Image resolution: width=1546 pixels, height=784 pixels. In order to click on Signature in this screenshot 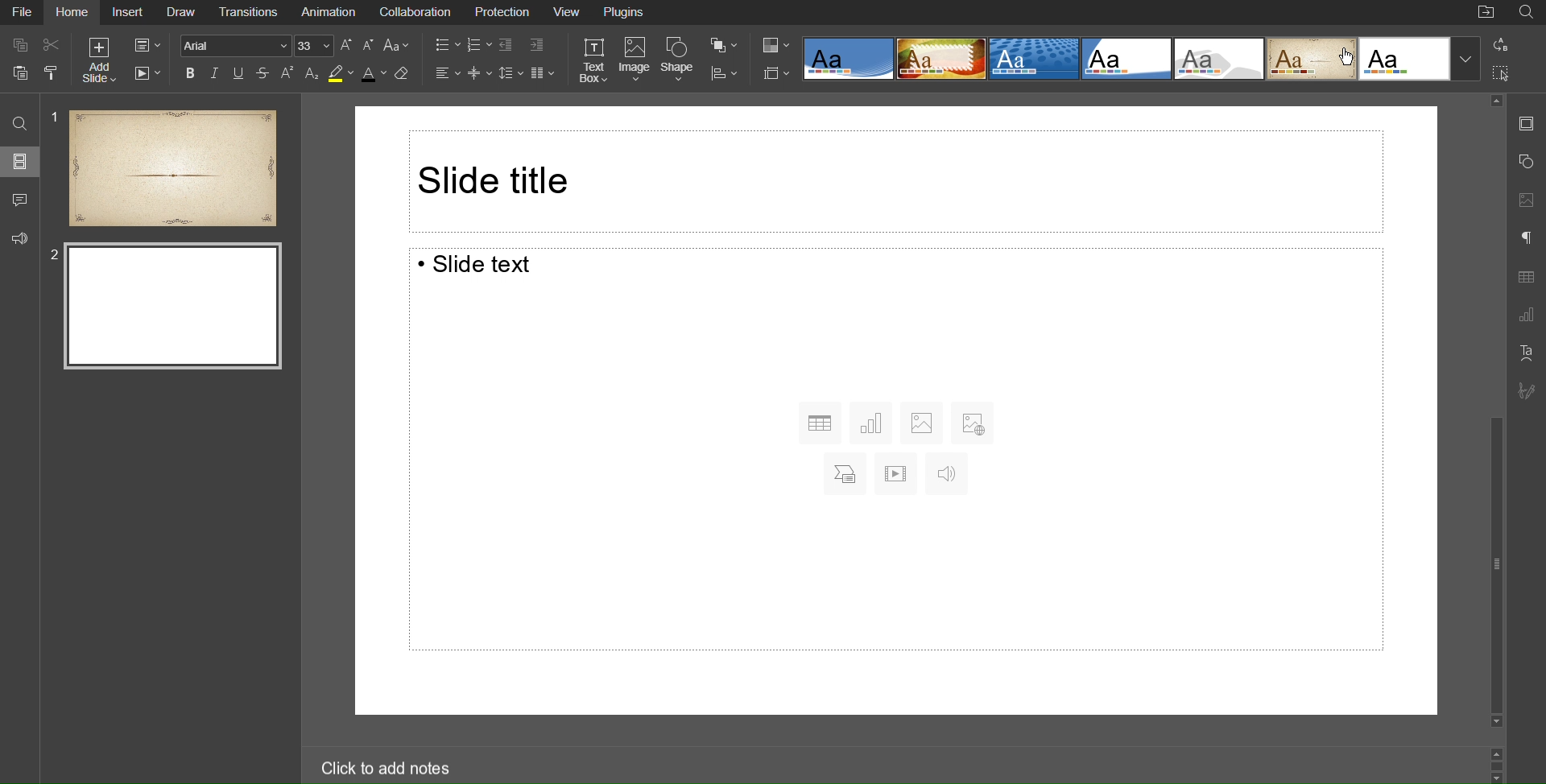, I will do `click(1525, 391)`.